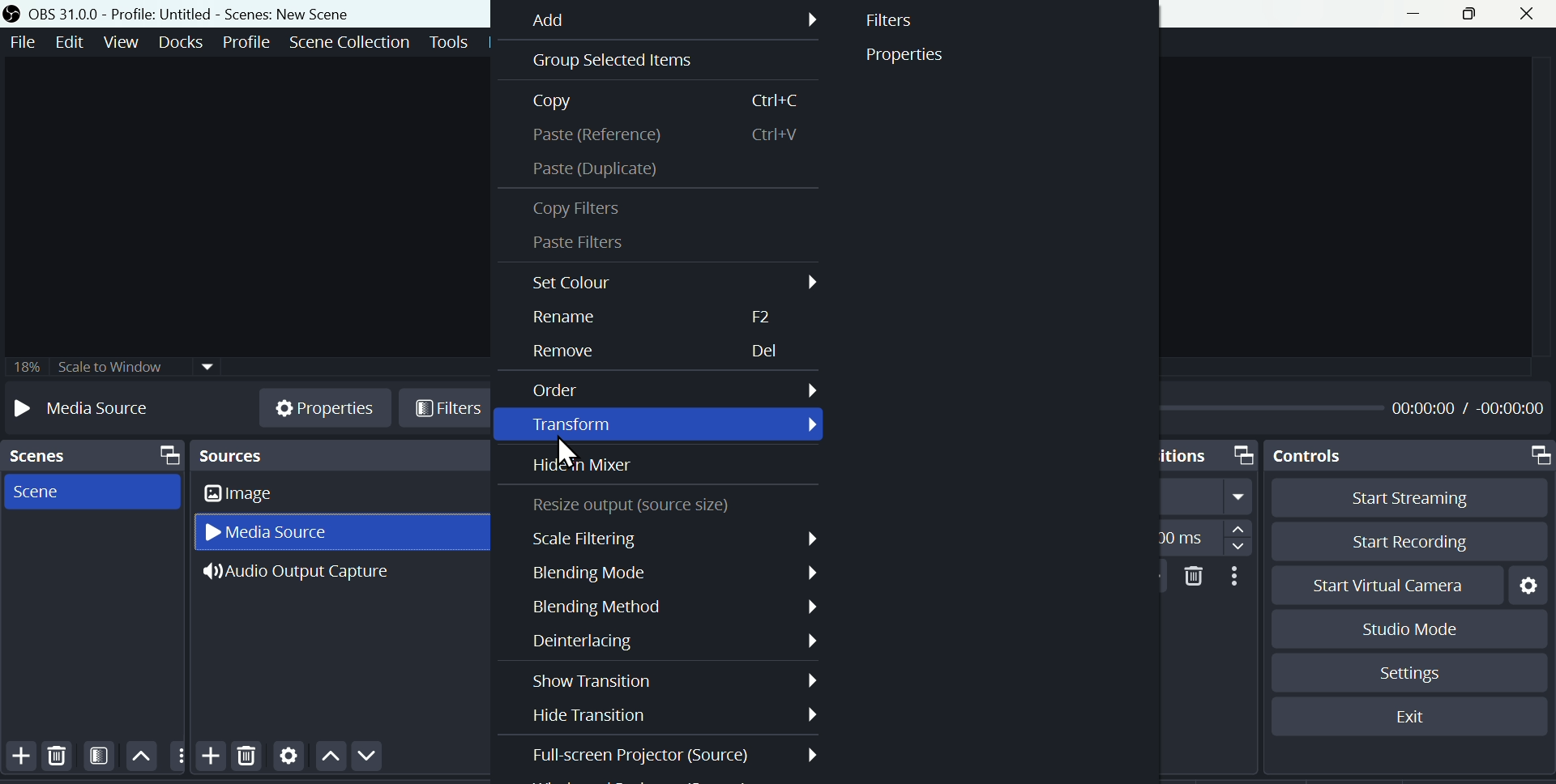  I want to click on Paste duplicate, so click(605, 171).